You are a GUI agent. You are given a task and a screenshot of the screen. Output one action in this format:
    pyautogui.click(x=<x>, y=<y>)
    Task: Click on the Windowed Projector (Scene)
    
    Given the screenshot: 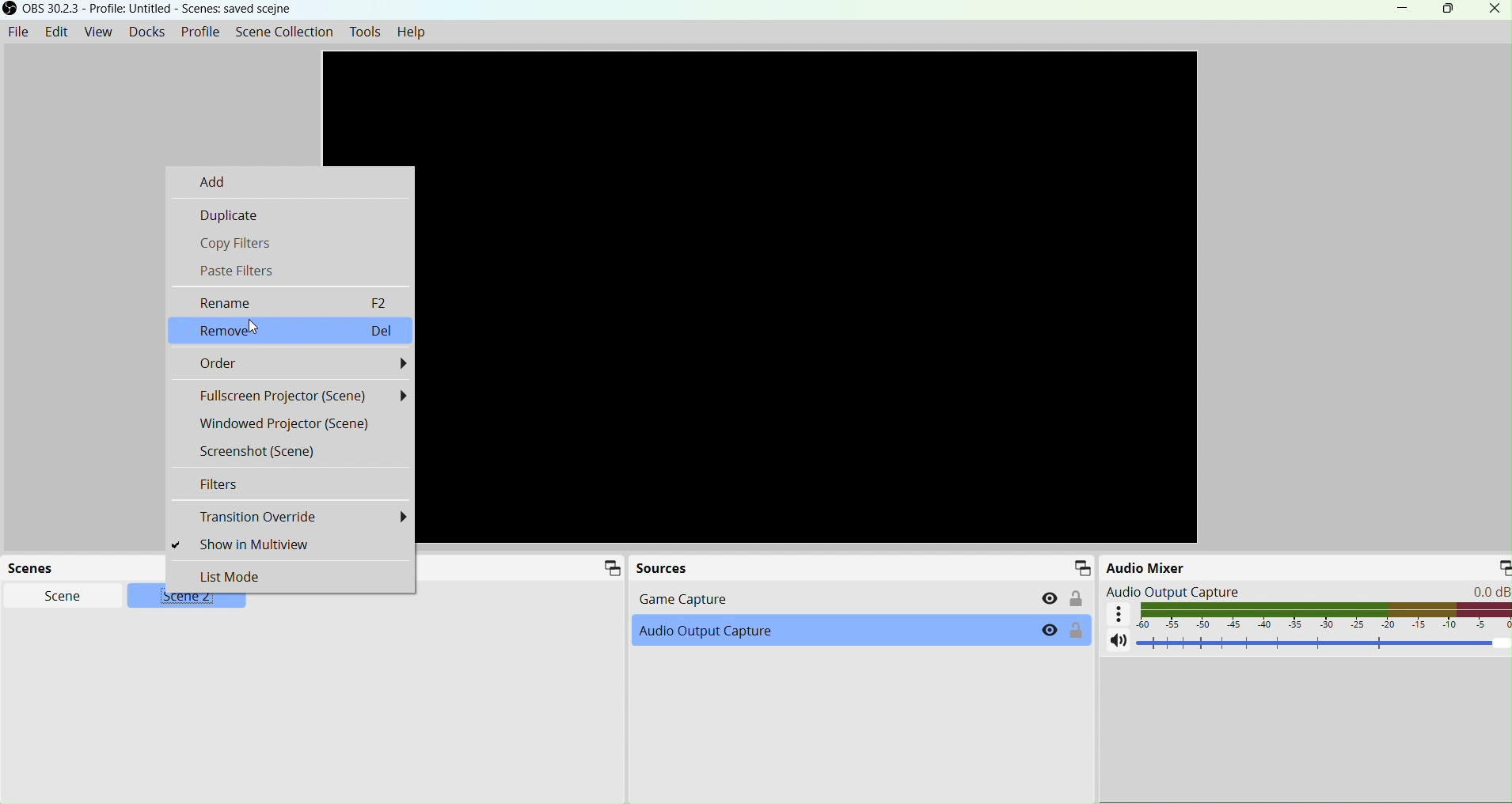 What is the action you would take?
    pyautogui.click(x=291, y=424)
    